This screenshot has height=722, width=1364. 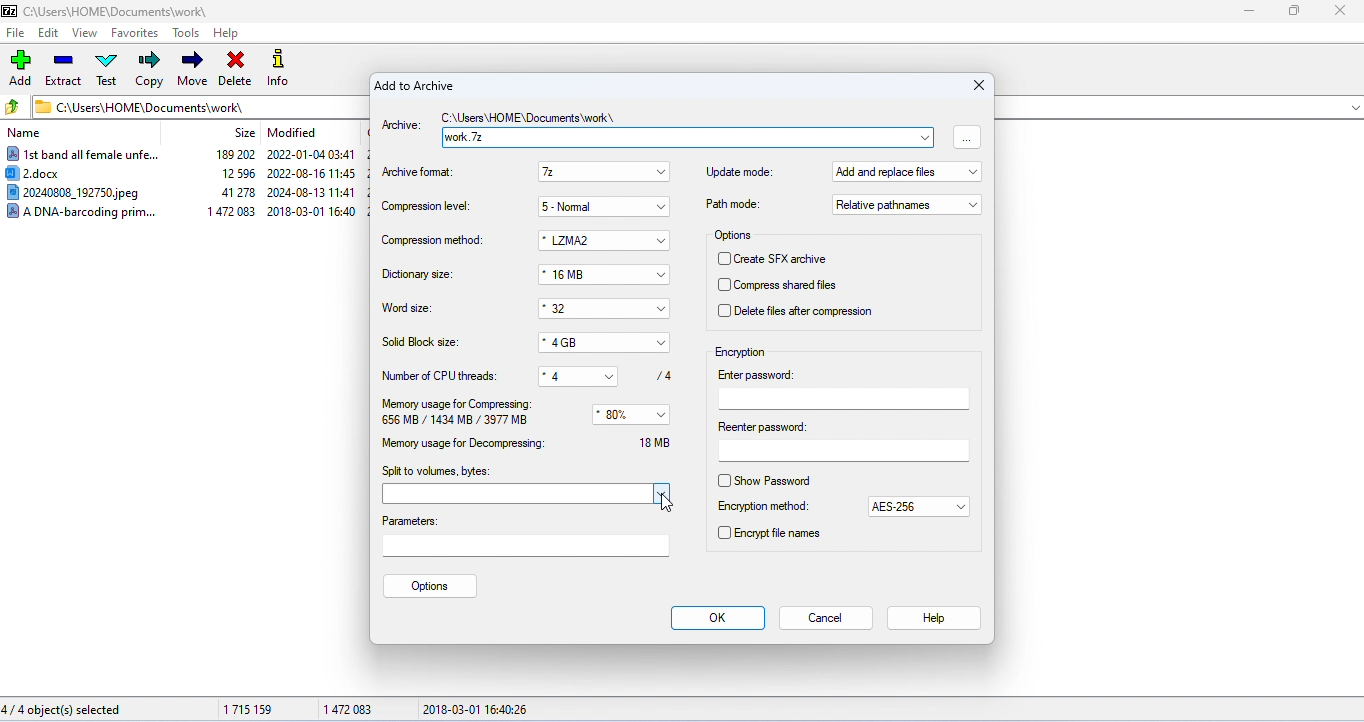 What do you see at coordinates (192, 69) in the screenshot?
I see `move` at bounding box center [192, 69].